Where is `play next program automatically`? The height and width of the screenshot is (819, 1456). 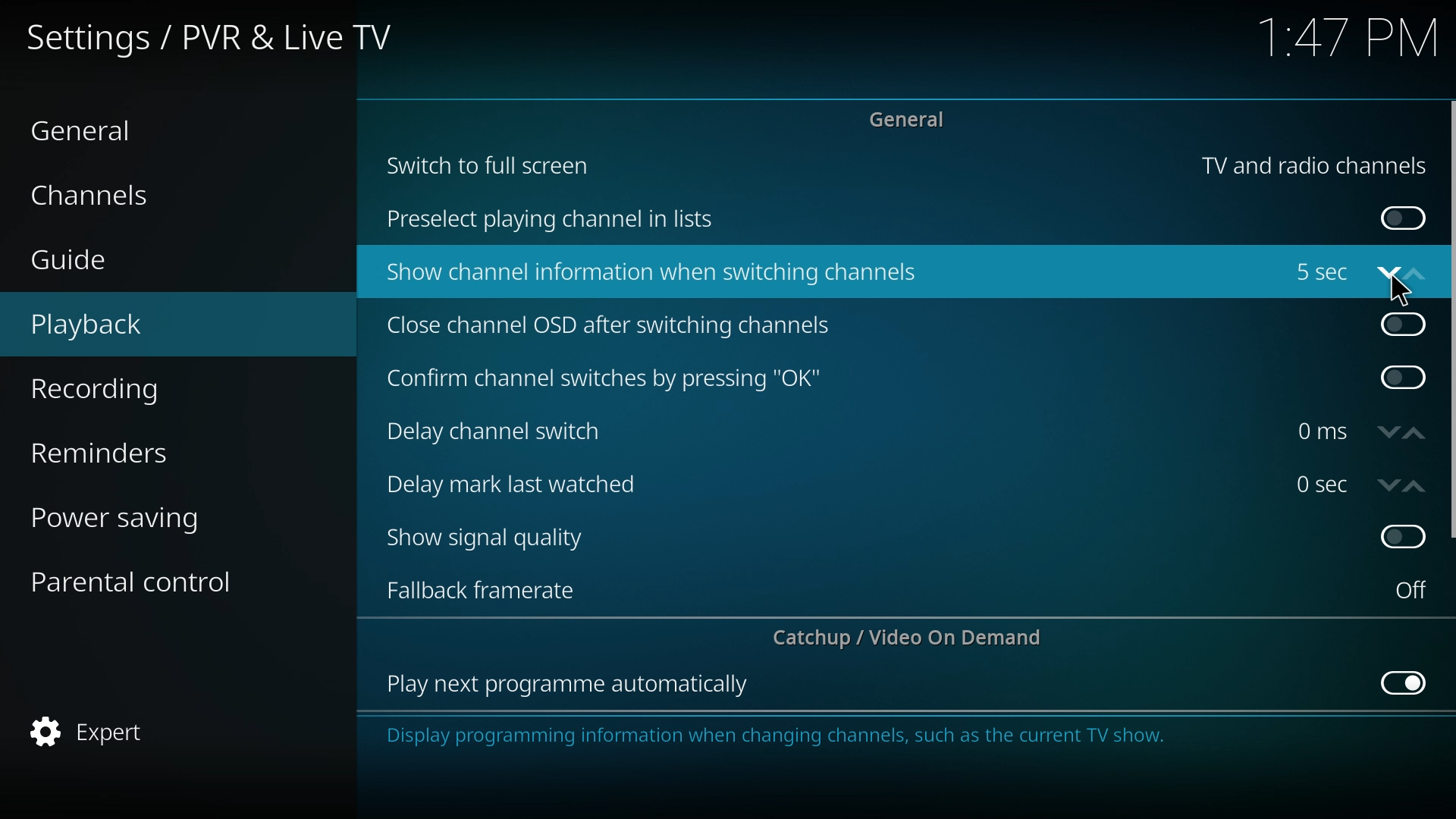 play next program automatically is located at coordinates (570, 686).